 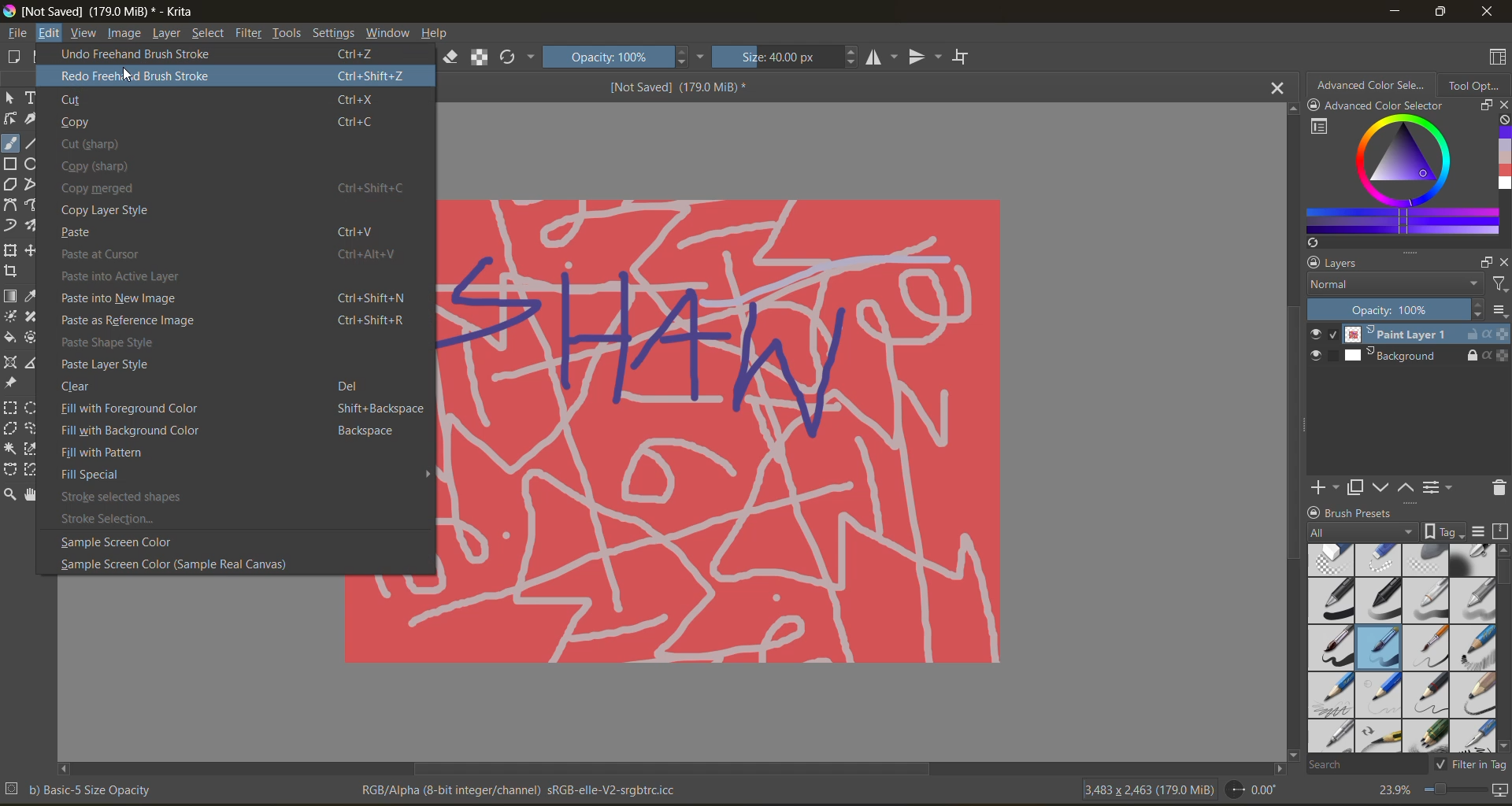 What do you see at coordinates (1288, 749) in the screenshot?
I see `scroll down` at bounding box center [1288, 749].